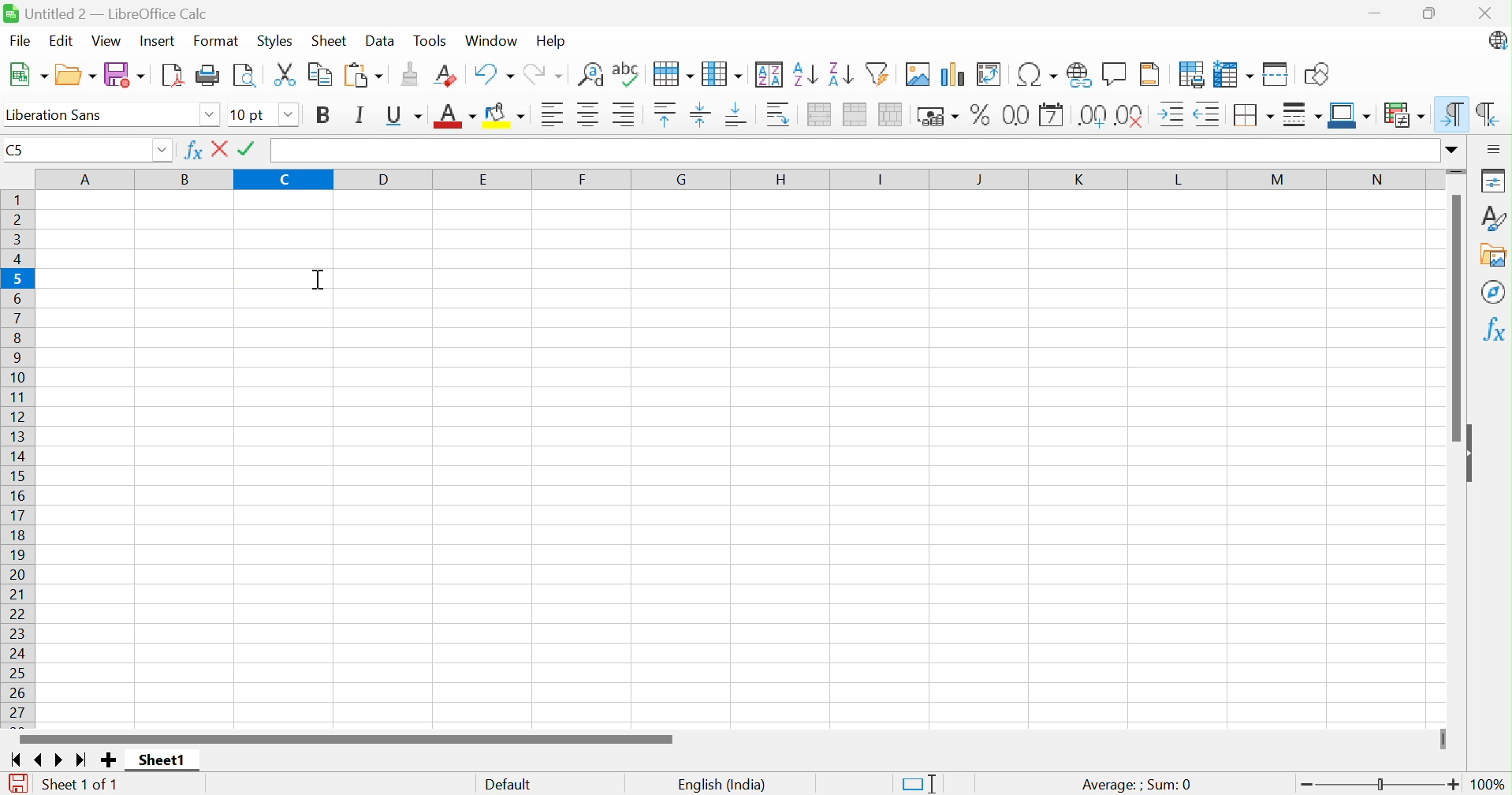  Describe the element at coordinates (1116, 73) in the screenshot. I see `Insert comment` at that location.